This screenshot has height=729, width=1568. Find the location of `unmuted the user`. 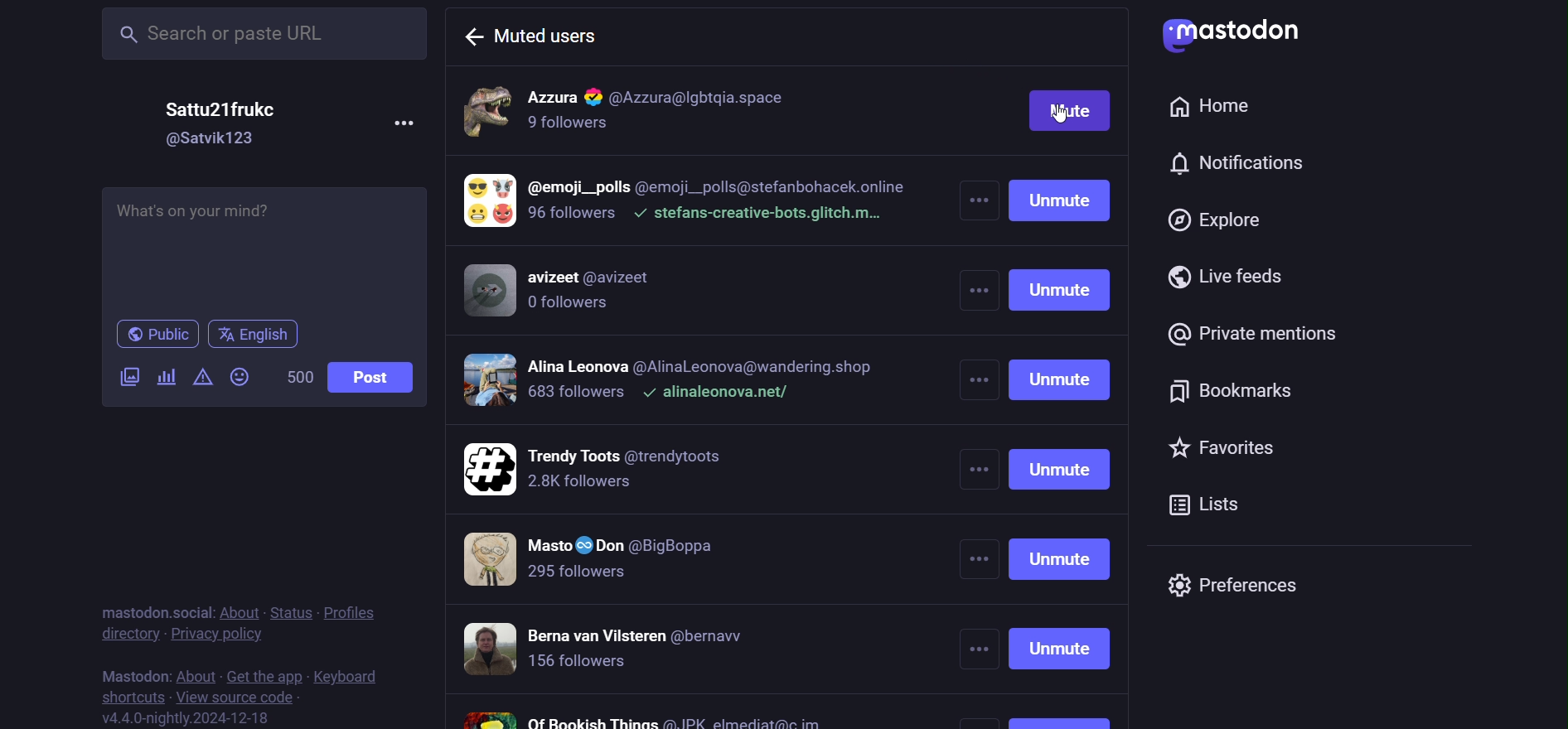

unmuted the user is located at coordinates (1068, 113).